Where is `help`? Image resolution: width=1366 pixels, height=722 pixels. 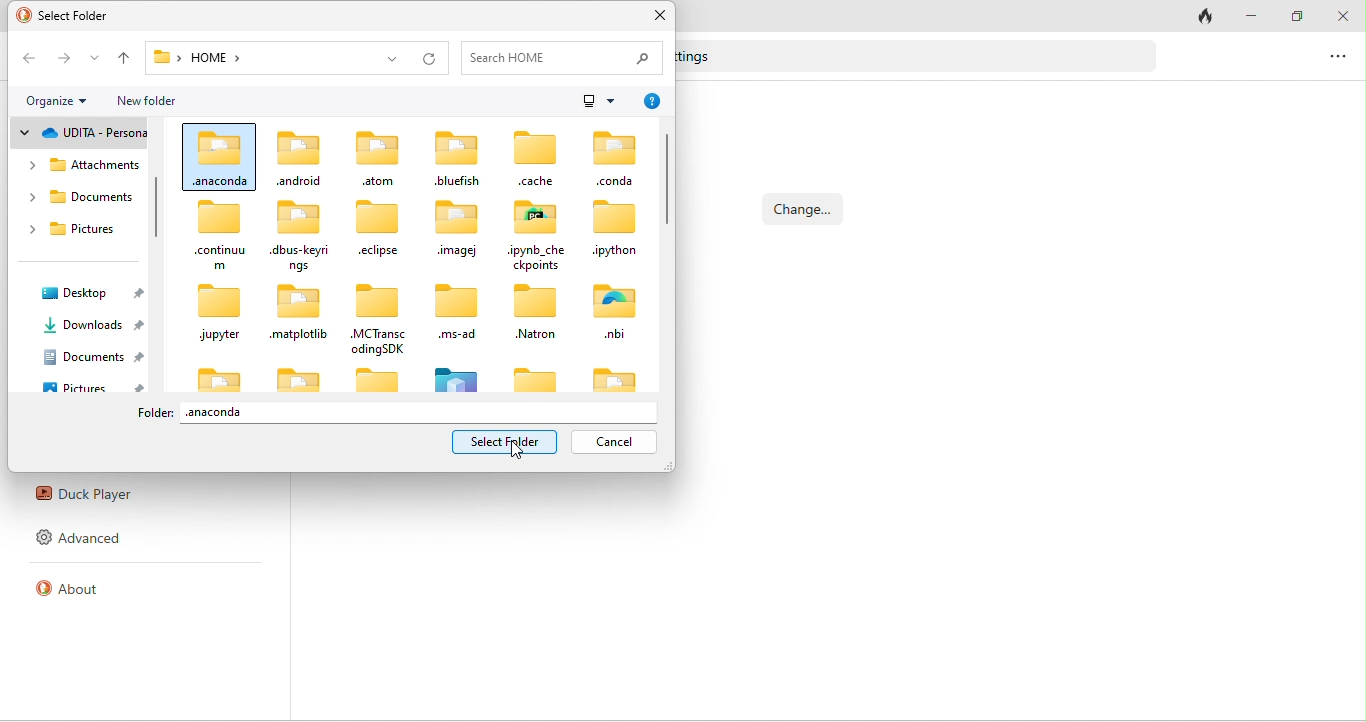
help is located at coordinates (651, 102).